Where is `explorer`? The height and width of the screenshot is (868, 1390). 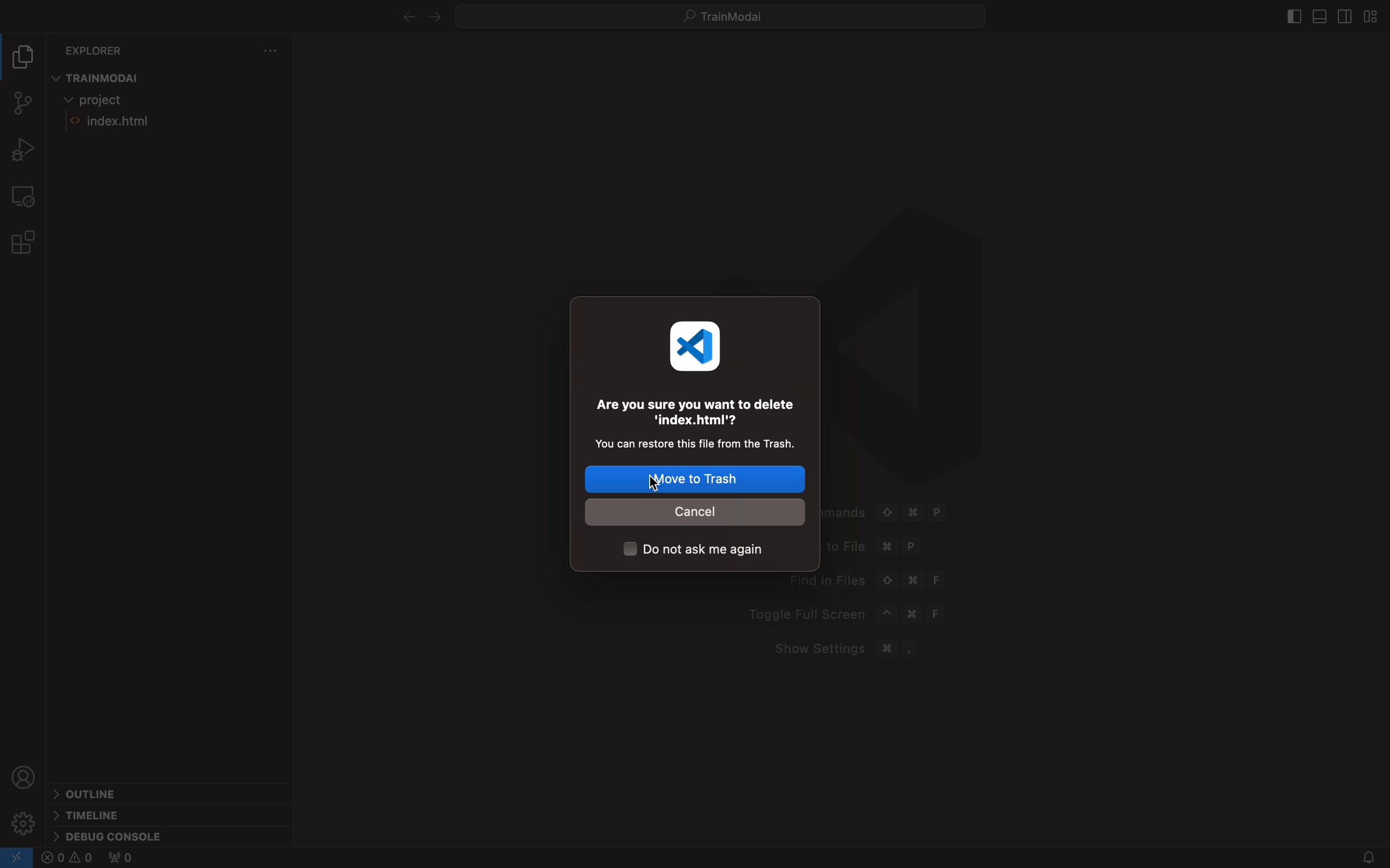 explorer is located at coordinates (98, 48).